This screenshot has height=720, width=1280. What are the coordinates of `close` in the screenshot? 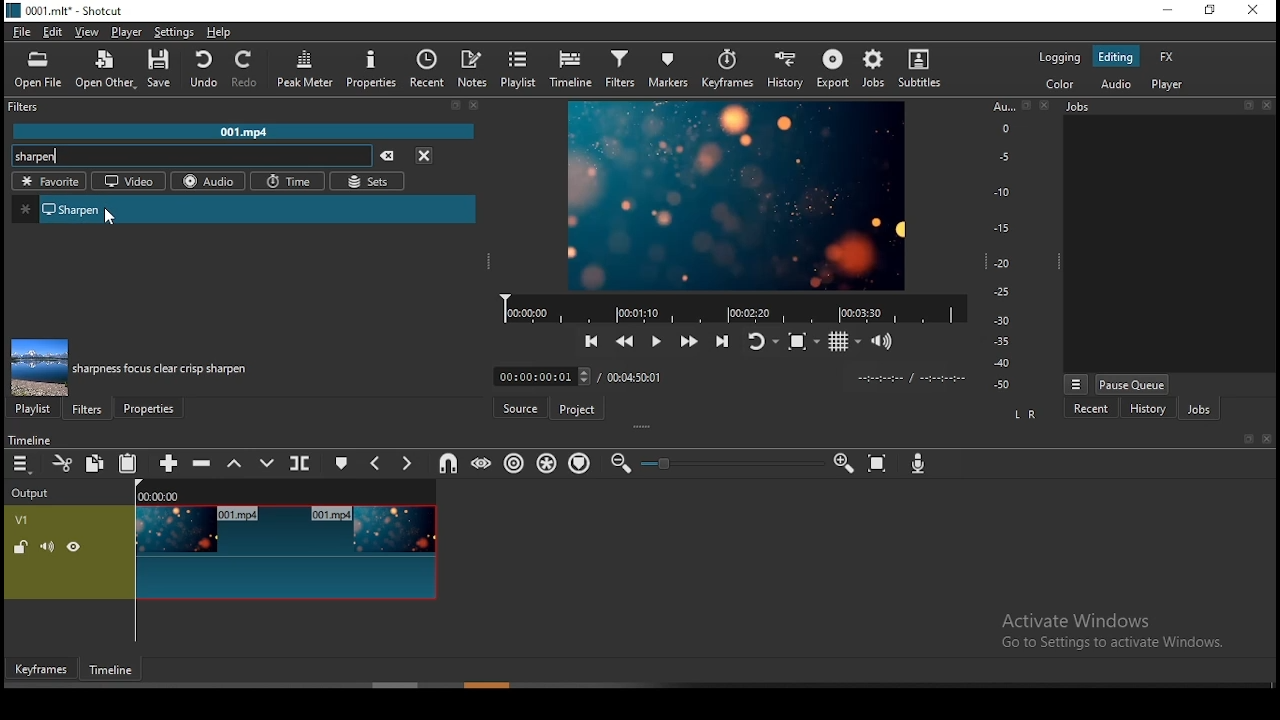 It's located at (1267, 440).